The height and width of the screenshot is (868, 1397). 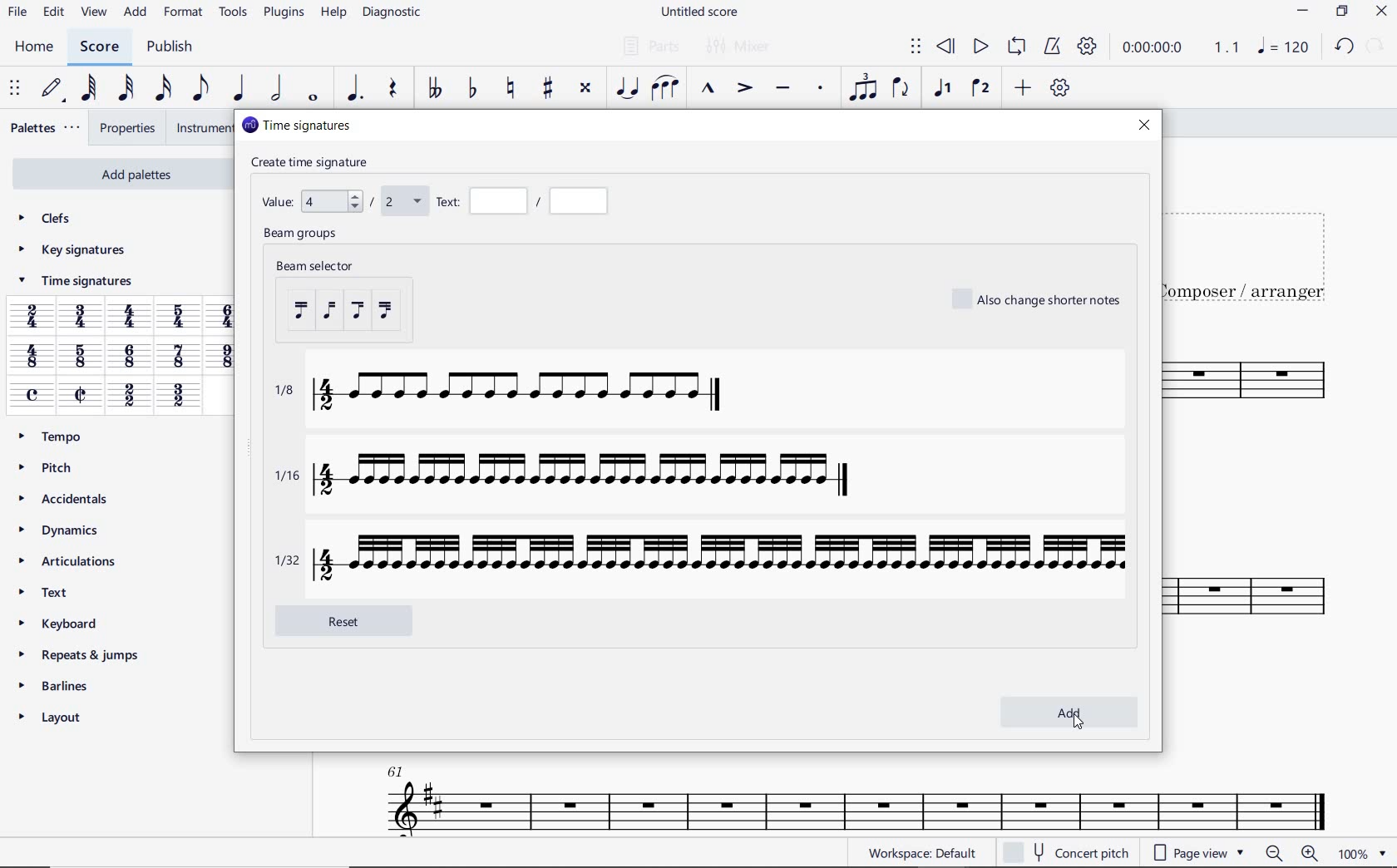 What do you see at coordinates (49, 467) in the screenshot?
I see `PITCH` at bounding box center [49, 467].